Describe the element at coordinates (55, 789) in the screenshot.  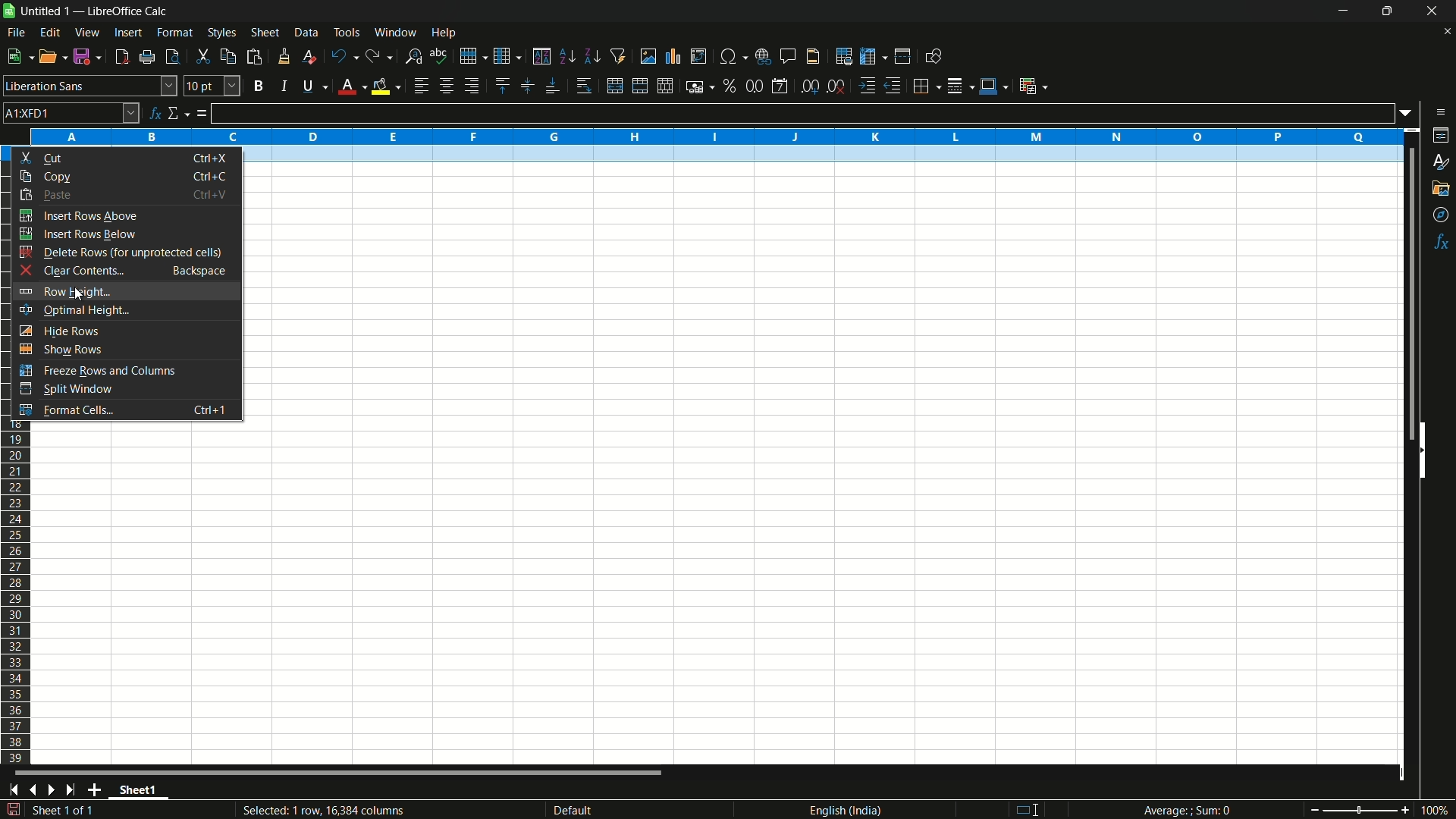
I see `next sheet` at that location.